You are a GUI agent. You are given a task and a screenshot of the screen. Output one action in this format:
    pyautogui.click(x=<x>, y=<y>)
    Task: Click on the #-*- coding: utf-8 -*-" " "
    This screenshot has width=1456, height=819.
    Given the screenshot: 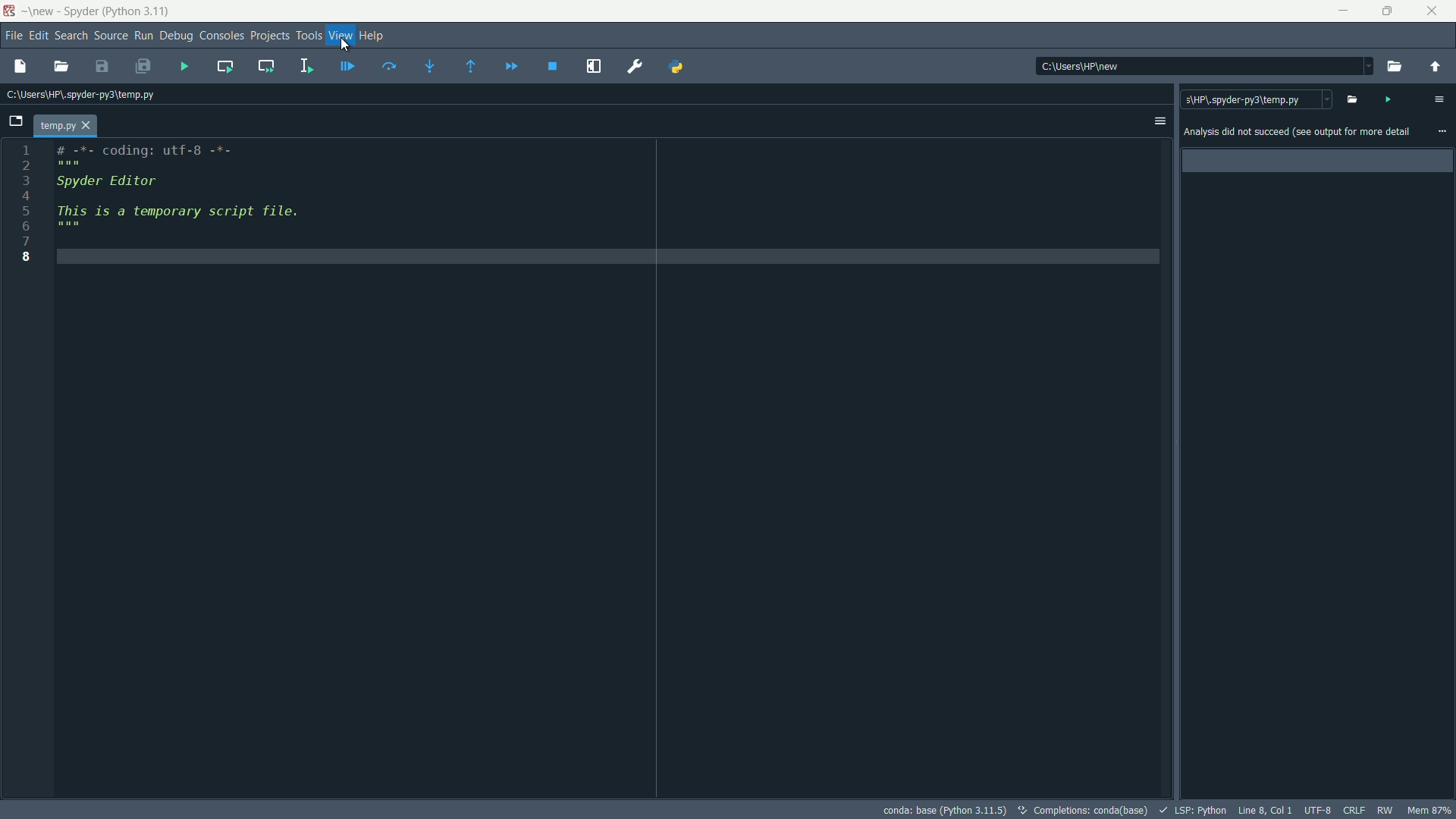 What is the action you would take?
    pyautogui.click(x=149, y=155)
    